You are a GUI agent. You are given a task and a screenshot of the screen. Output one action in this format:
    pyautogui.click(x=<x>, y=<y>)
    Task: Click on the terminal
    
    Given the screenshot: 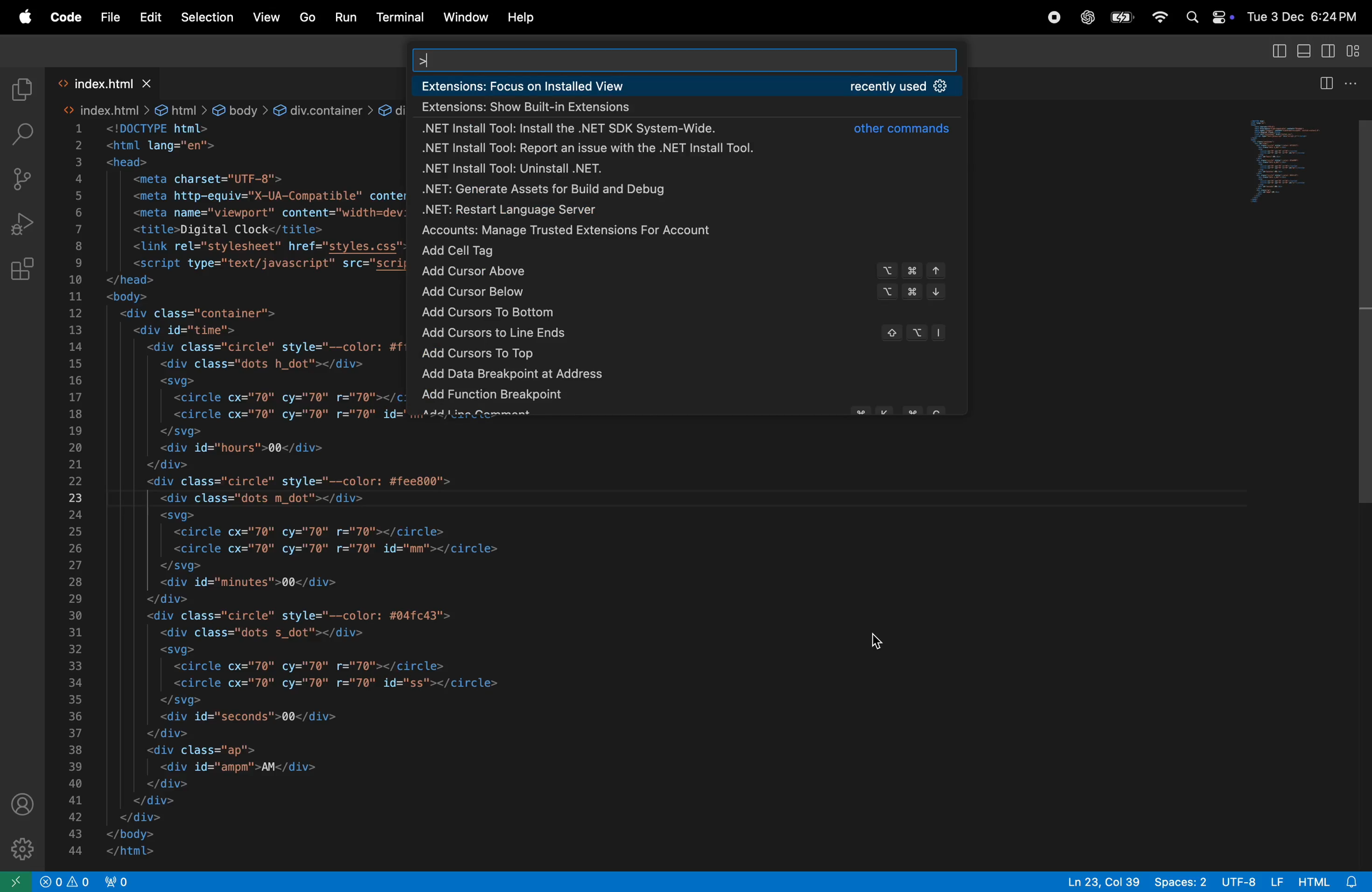 What is the action you would take?
    pyautogui.click(x=401, y=16)
    